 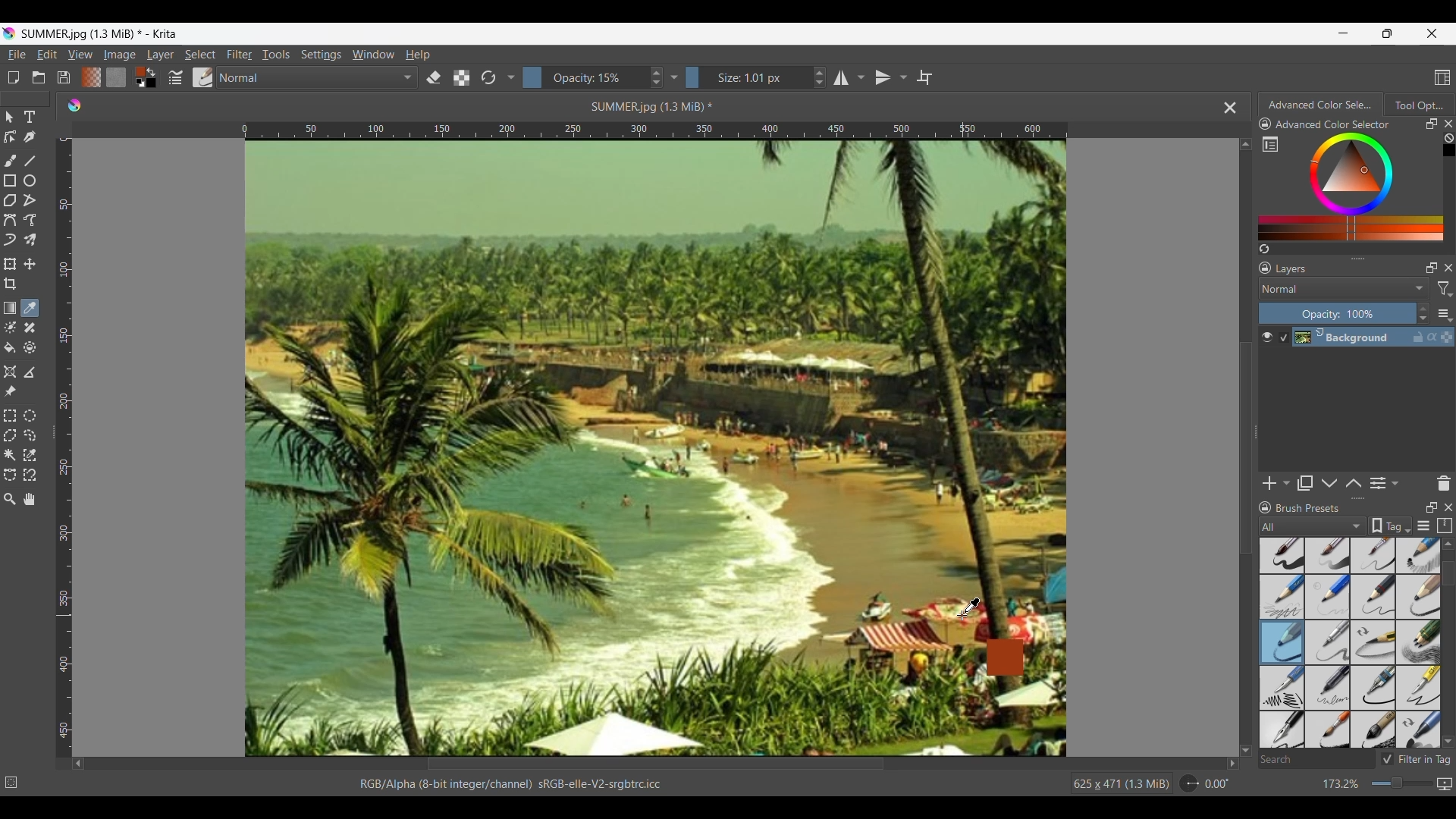 I want to click on Storage resources, so click(x=1445, y=526).